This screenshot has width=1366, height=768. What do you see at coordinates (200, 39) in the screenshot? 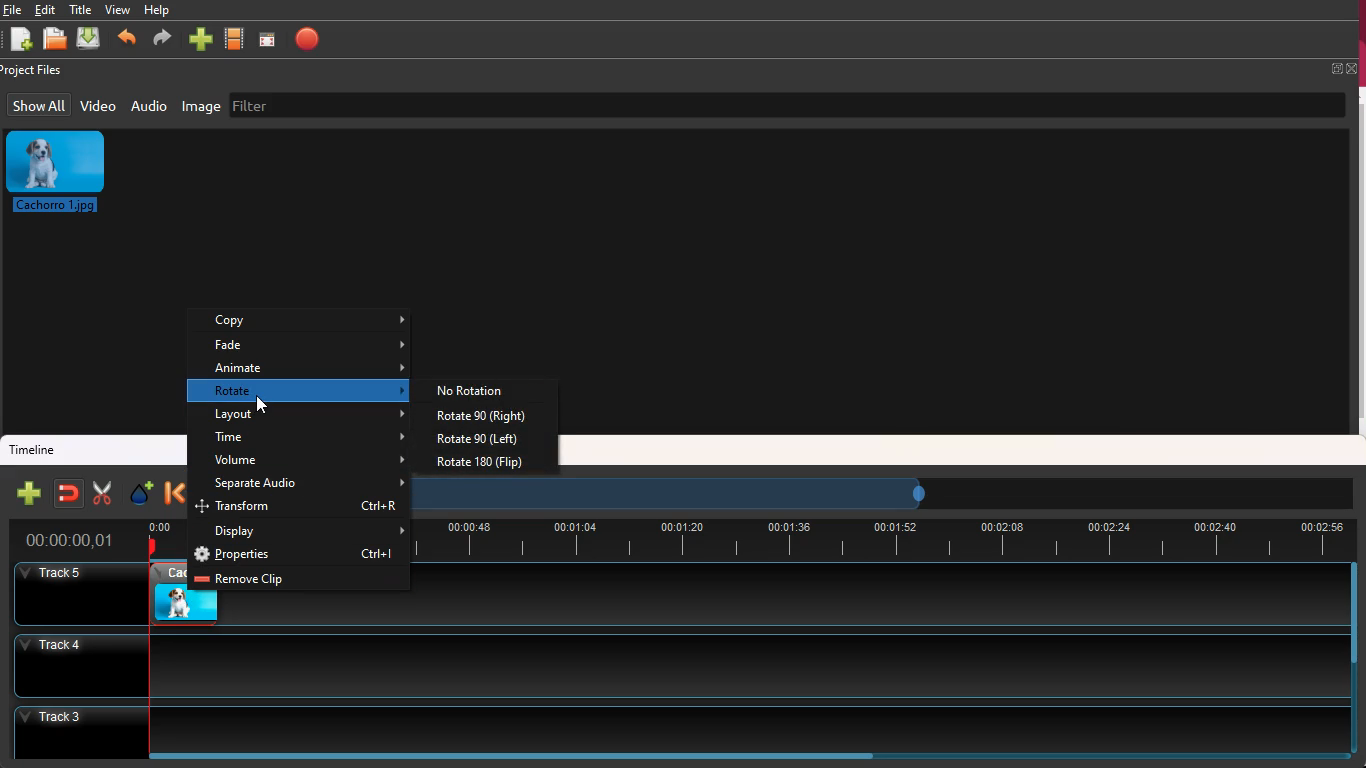
I see `more` at bounding box center [200, 39].